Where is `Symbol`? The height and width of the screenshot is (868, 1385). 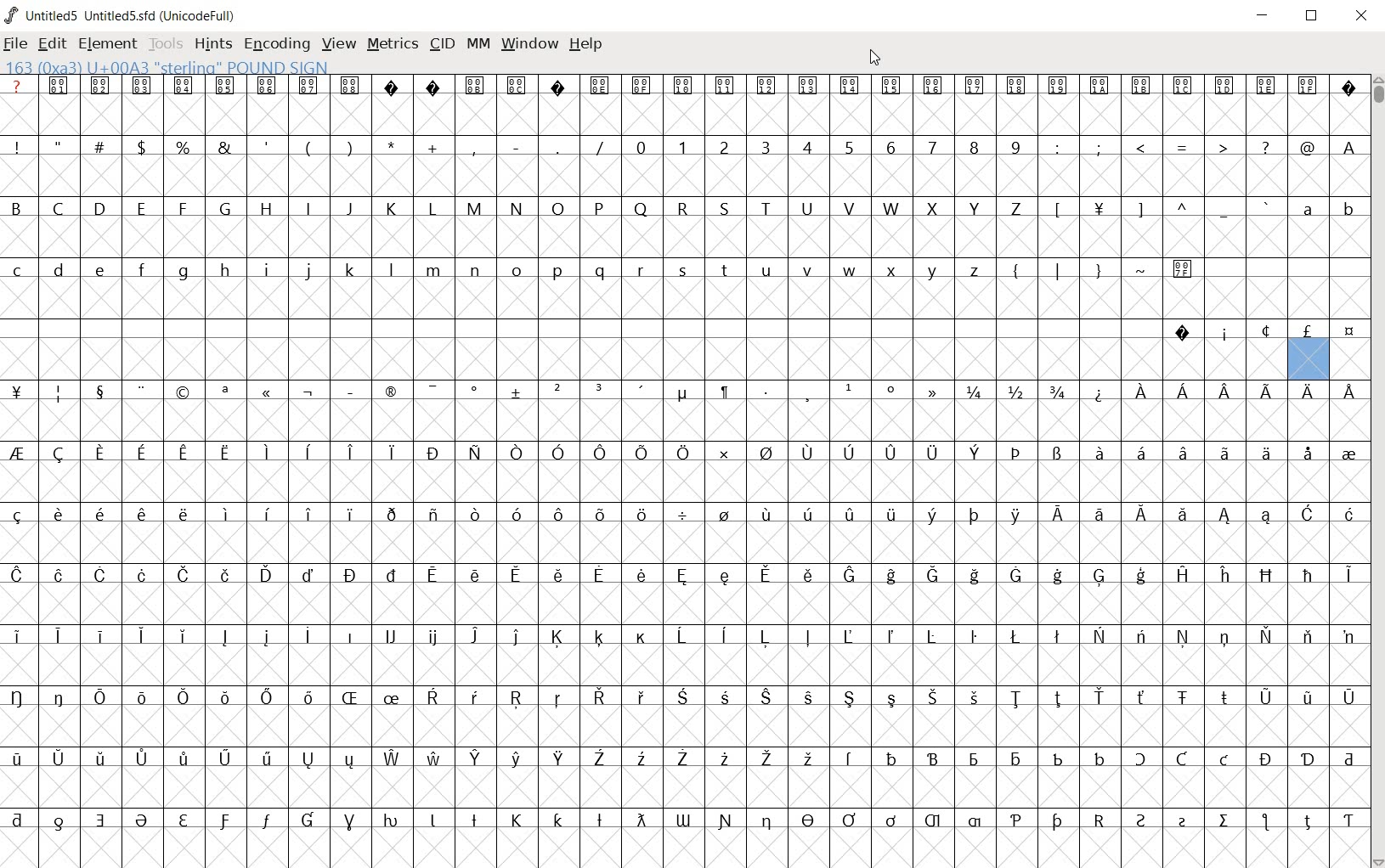
Symbol is located at coordinates (101, 454).